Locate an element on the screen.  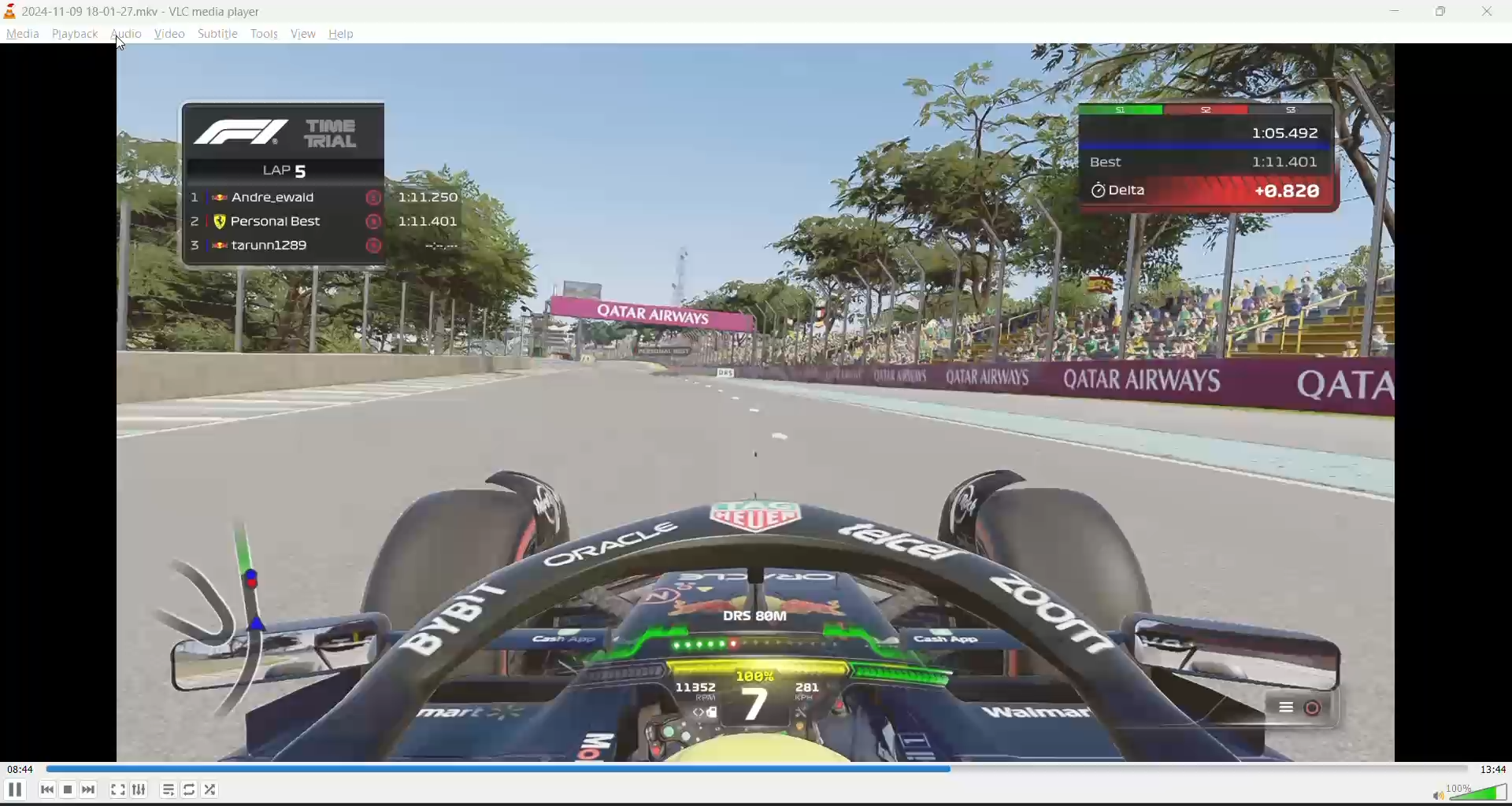
subtitle is located at coordinates (217, 32).